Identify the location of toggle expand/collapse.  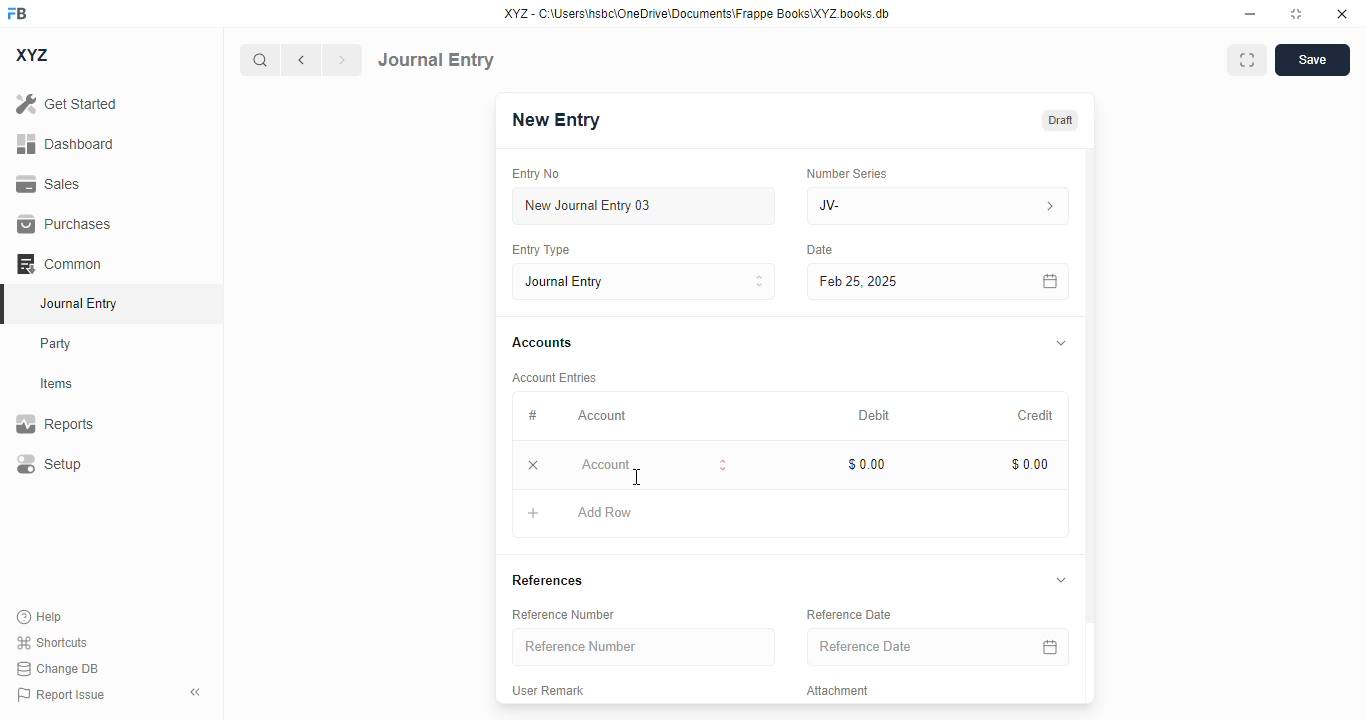
(1062, 343).